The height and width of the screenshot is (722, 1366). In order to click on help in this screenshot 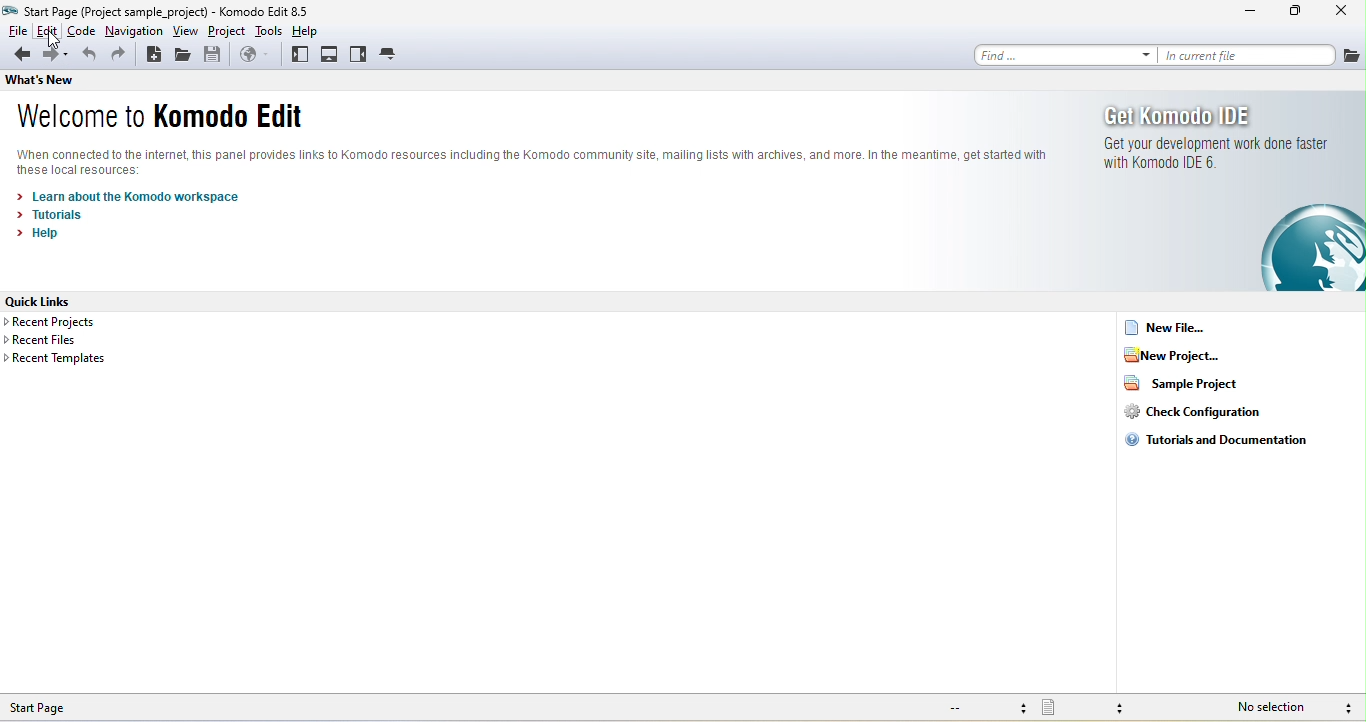, I will do `click(39, 234)`.